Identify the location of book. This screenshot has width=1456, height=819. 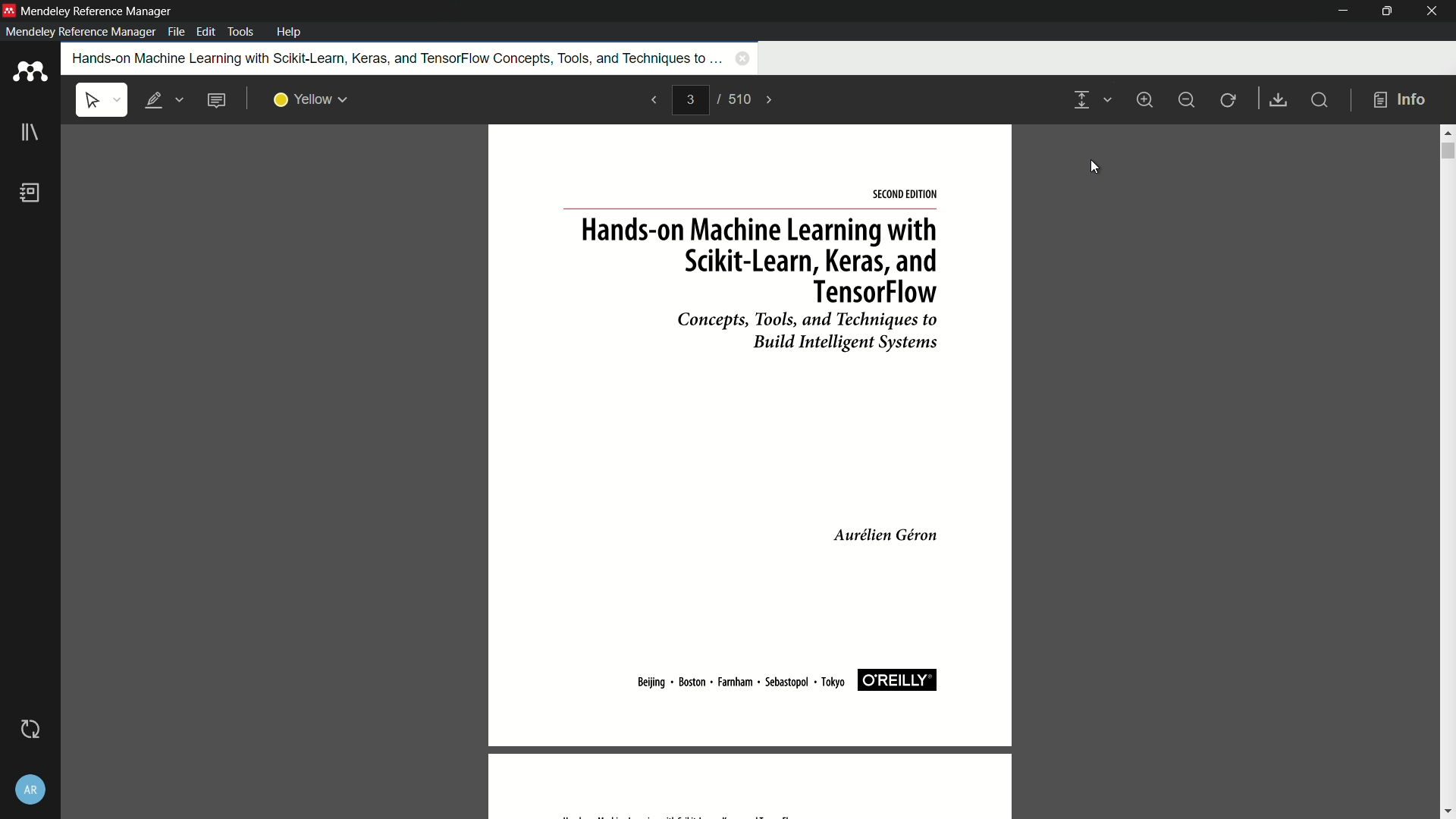
(30, 193).